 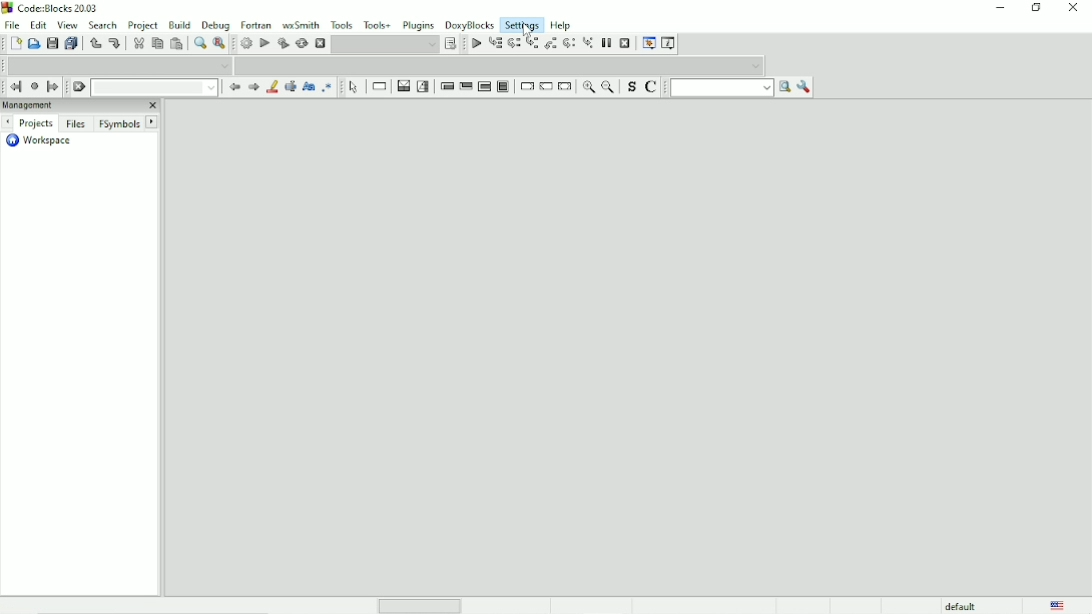 I want to click on Edit, so click(x=38, y=25).